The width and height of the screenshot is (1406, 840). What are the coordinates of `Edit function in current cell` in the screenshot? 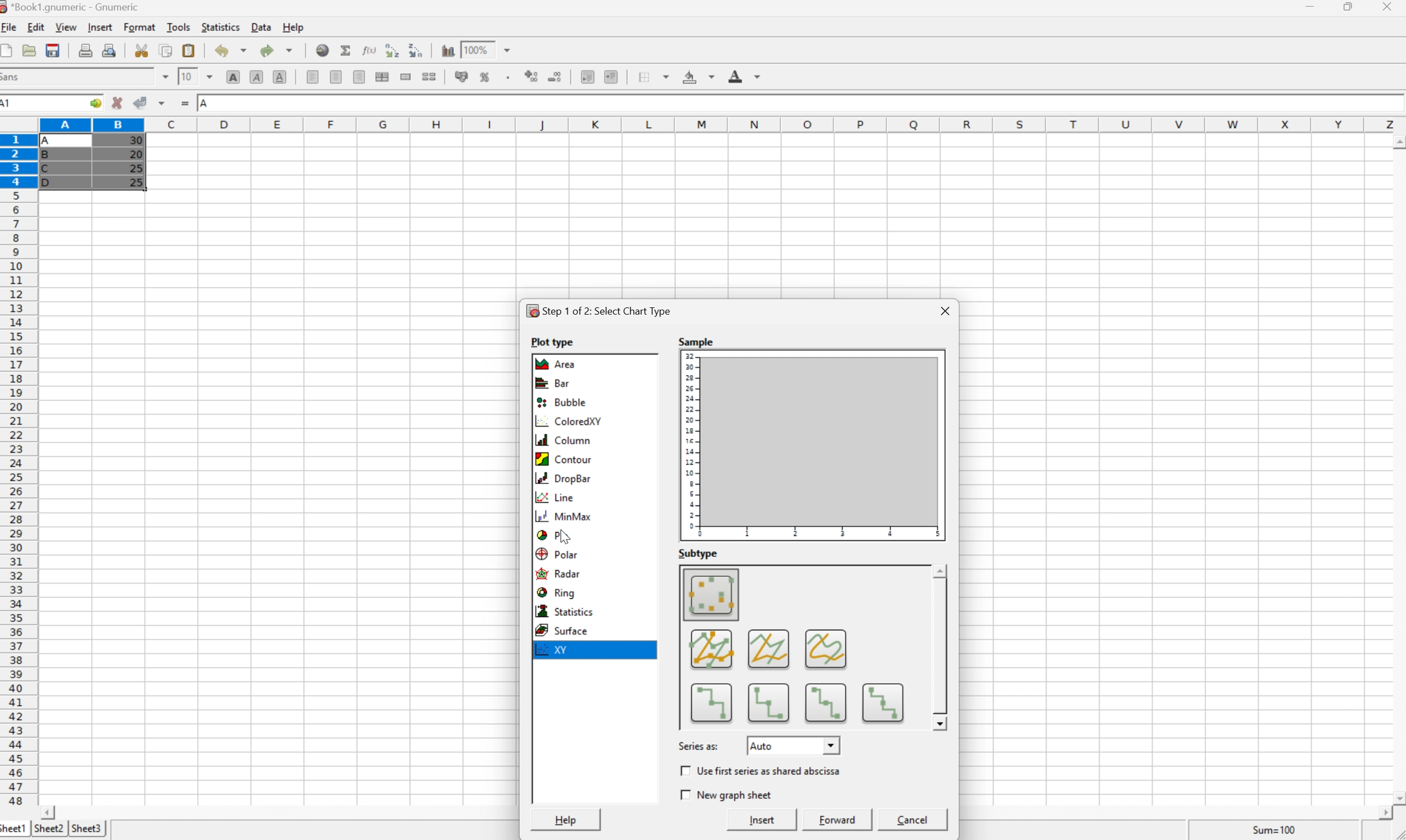 It's located at (371, 49).